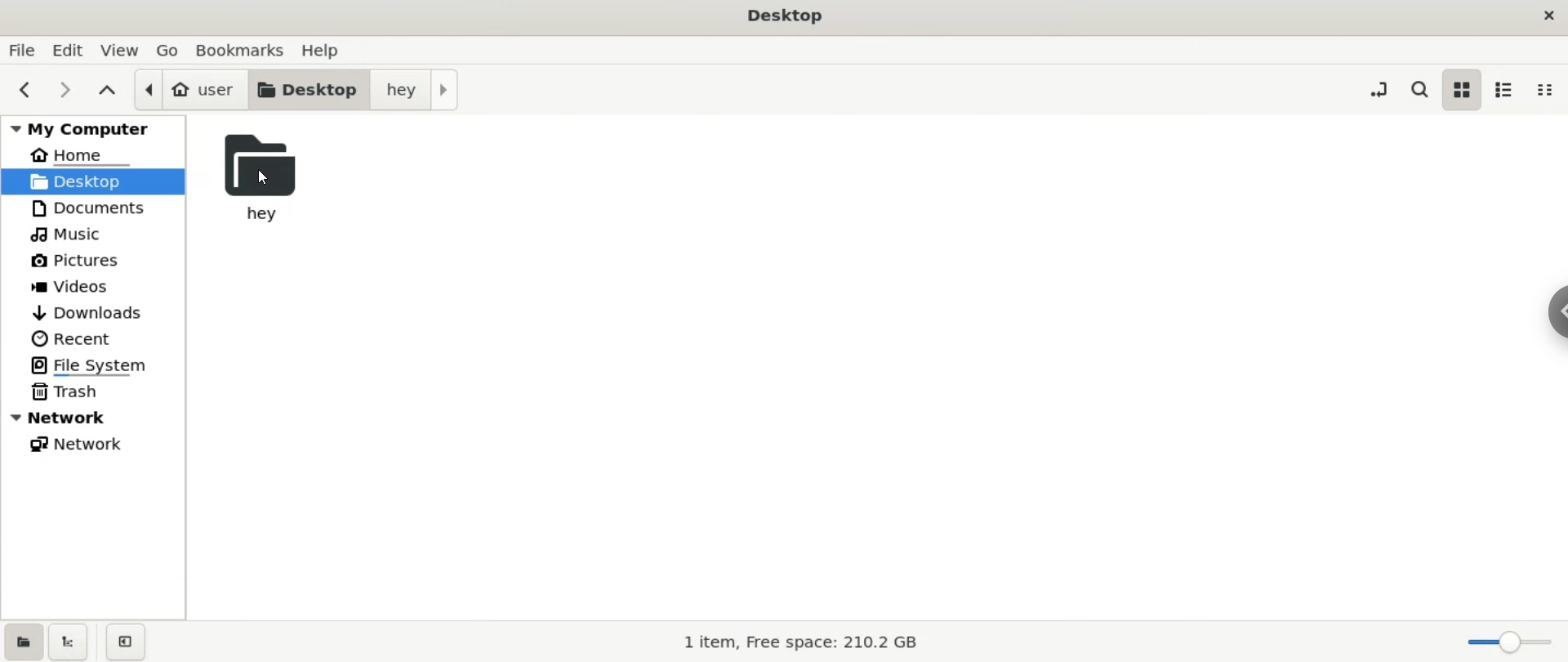 This screenshot has height=662, width=1568. I want to click on hey, so click(413, 88).